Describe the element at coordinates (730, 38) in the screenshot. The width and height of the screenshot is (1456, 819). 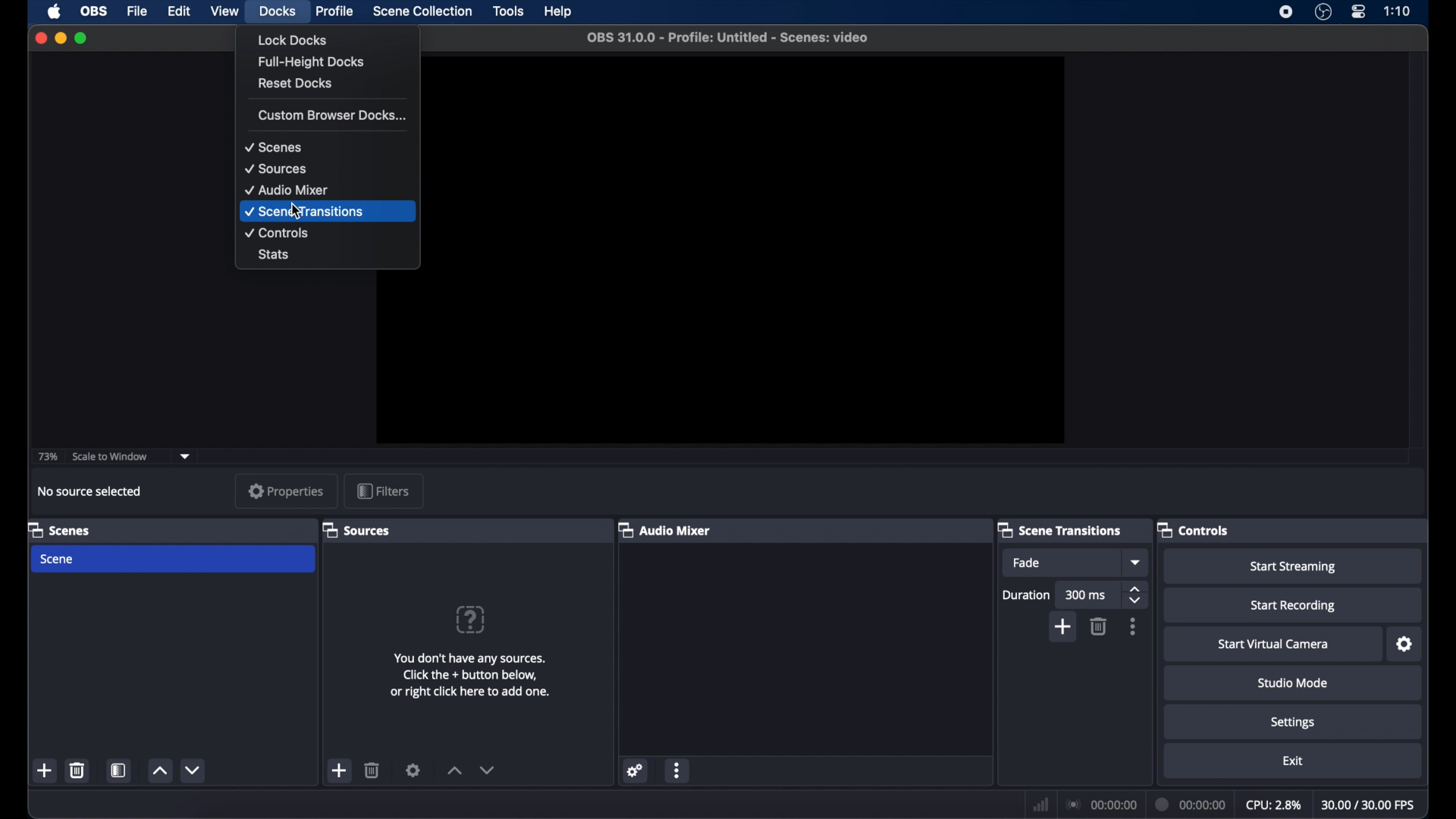
I see `file name` at that location.